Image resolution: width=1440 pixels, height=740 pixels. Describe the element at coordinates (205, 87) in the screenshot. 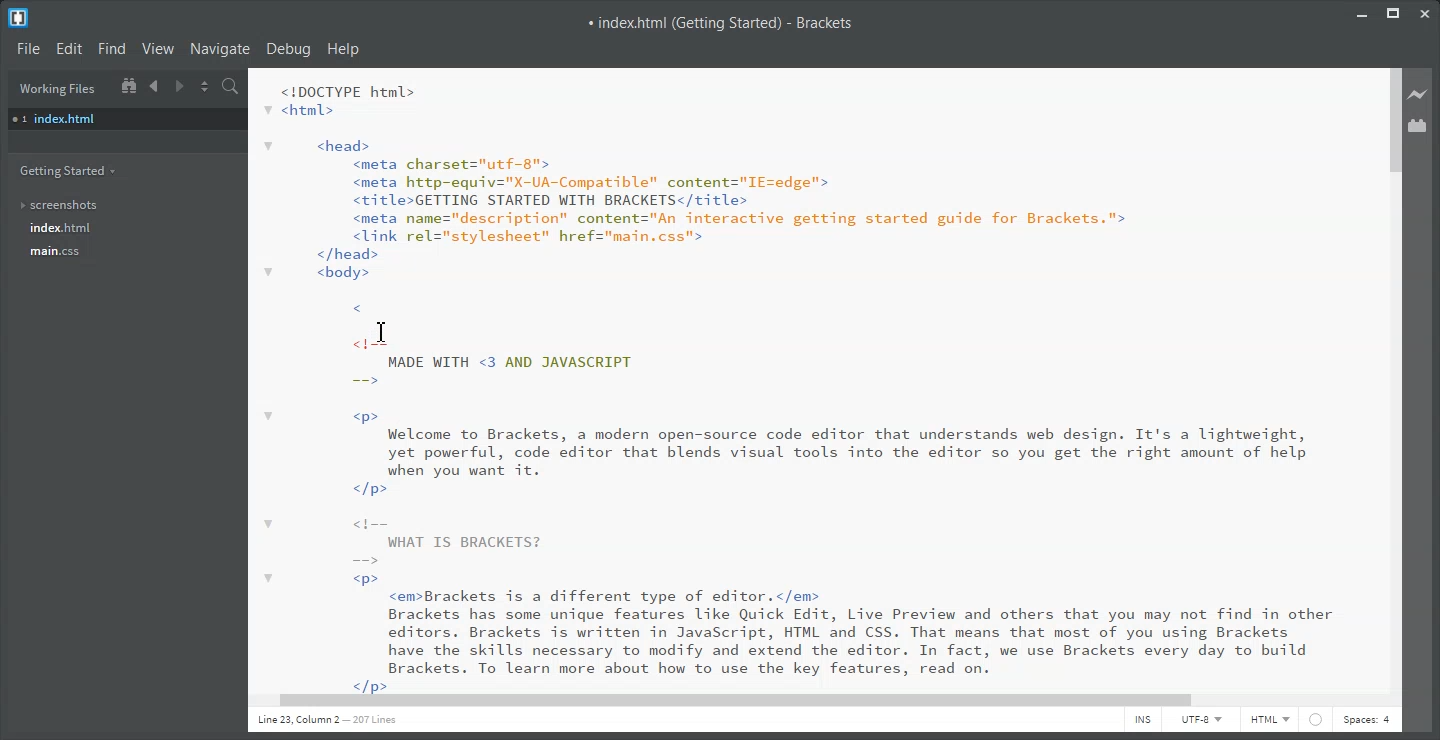

I see `Split the editor Vertically or Horizontally` at that location.